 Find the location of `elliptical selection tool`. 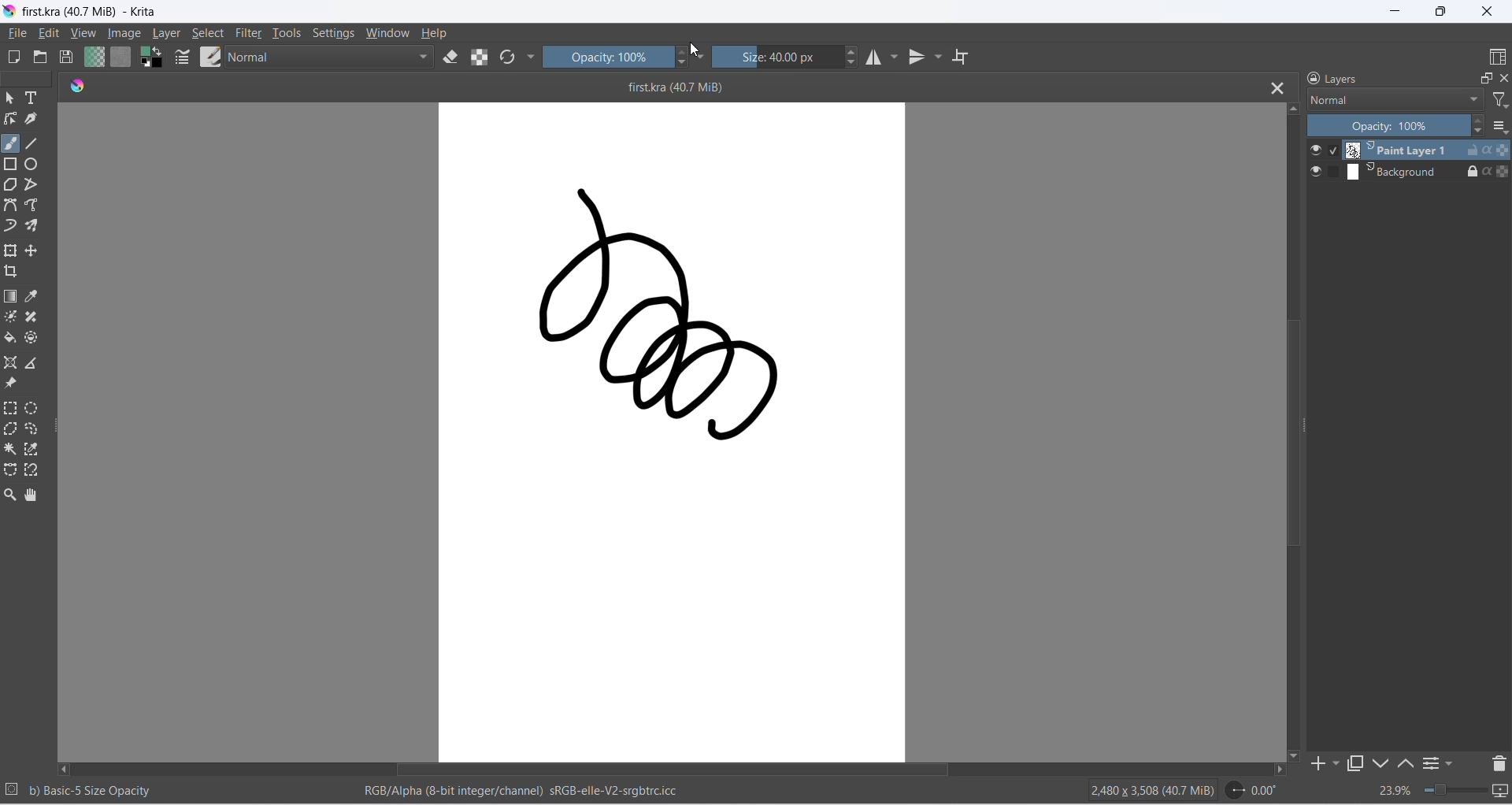

elliptical selection tool is located at coordinates (31, 408).